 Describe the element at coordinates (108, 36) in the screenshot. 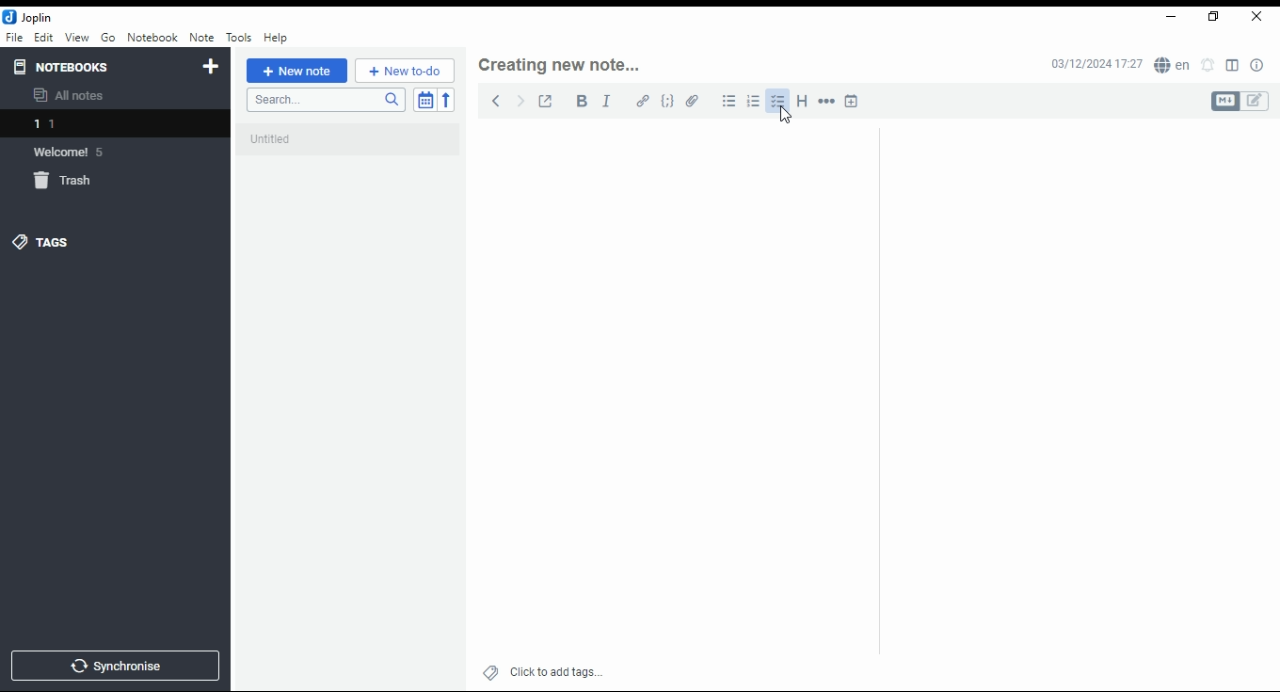

I see `Go` at that location.